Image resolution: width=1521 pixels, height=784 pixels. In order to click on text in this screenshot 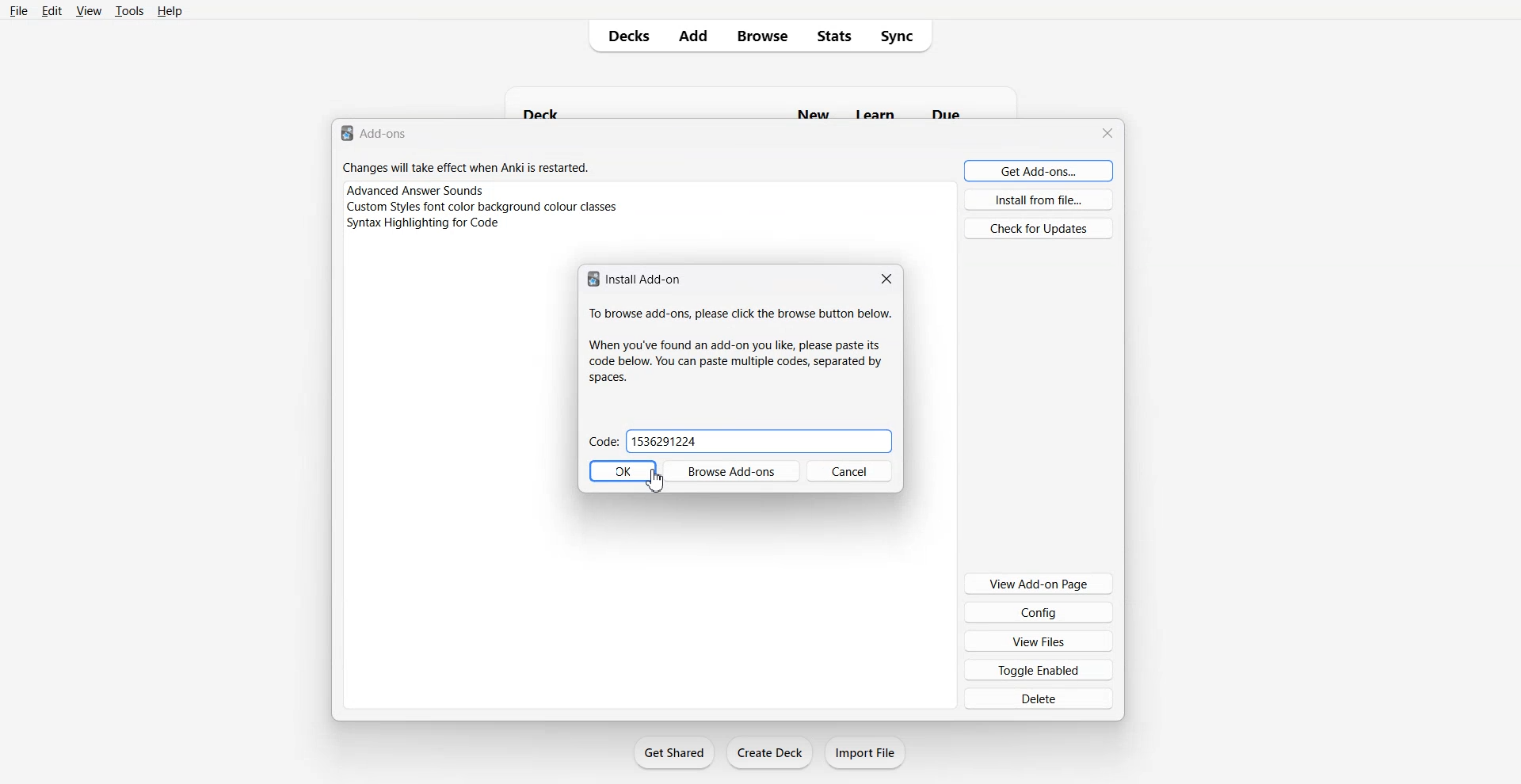, I will do `click(741, 315)`.